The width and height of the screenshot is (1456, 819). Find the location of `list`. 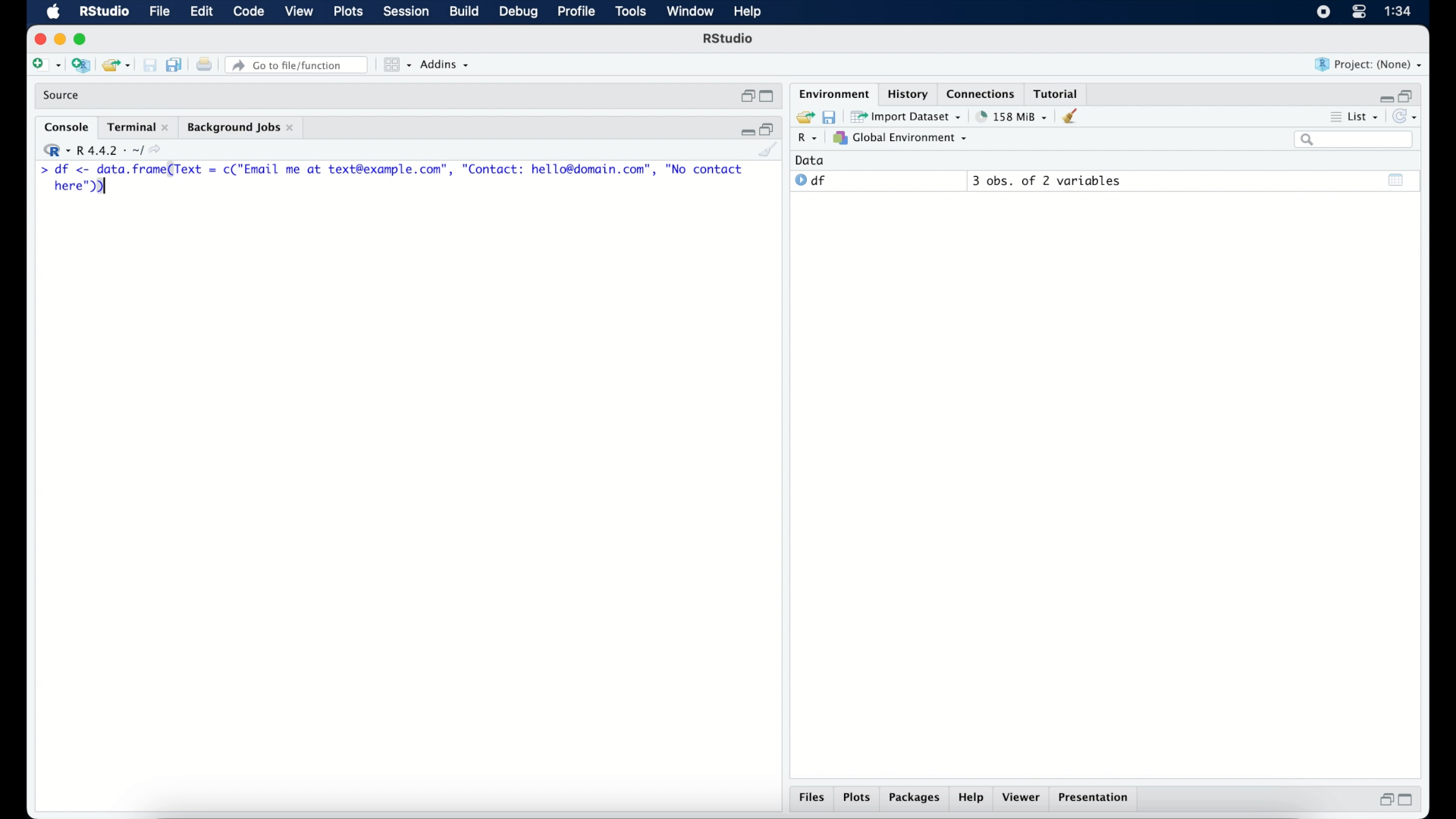

list is located at coordinates (1359, 117).